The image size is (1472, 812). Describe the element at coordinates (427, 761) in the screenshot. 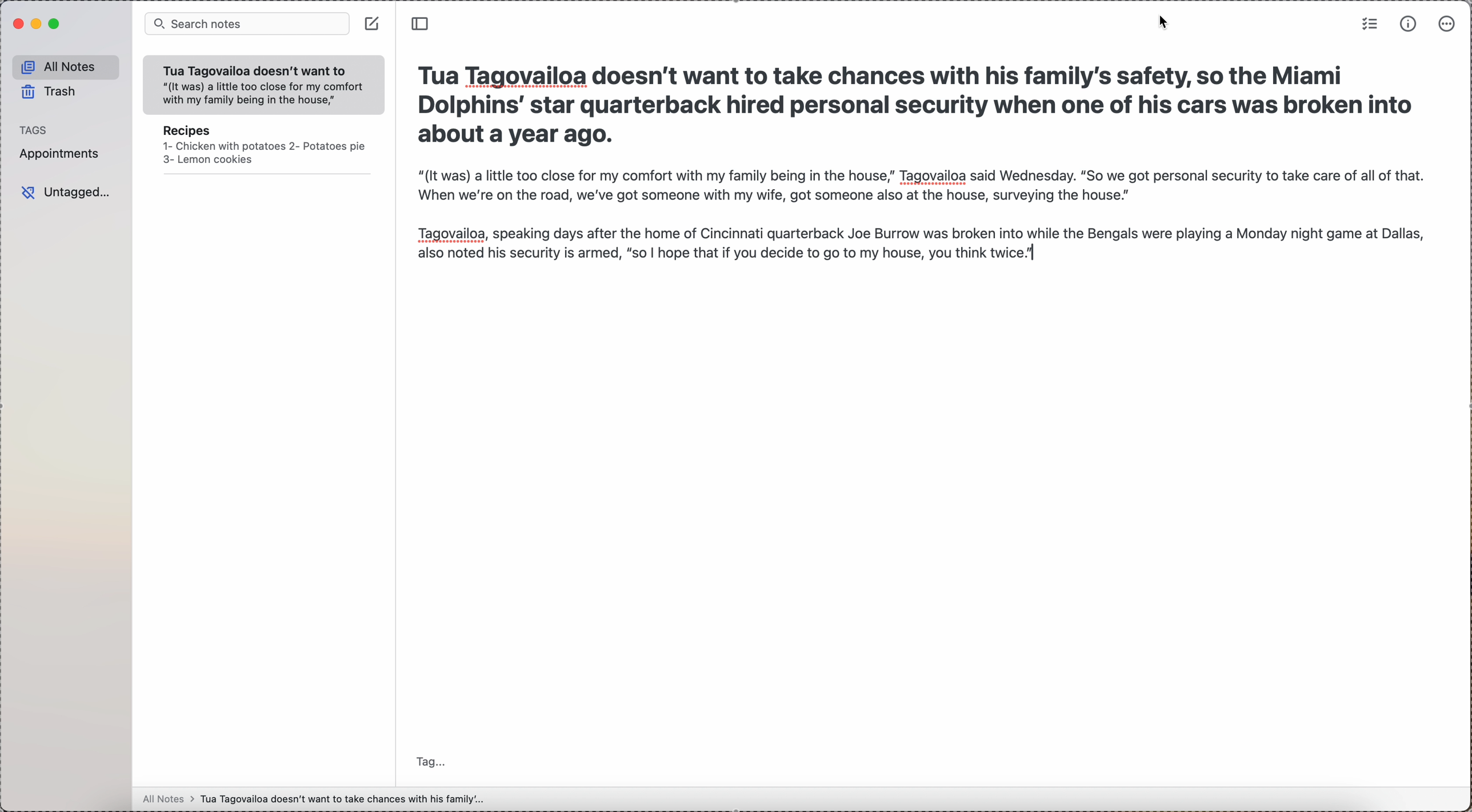

I see `tag` at that location.